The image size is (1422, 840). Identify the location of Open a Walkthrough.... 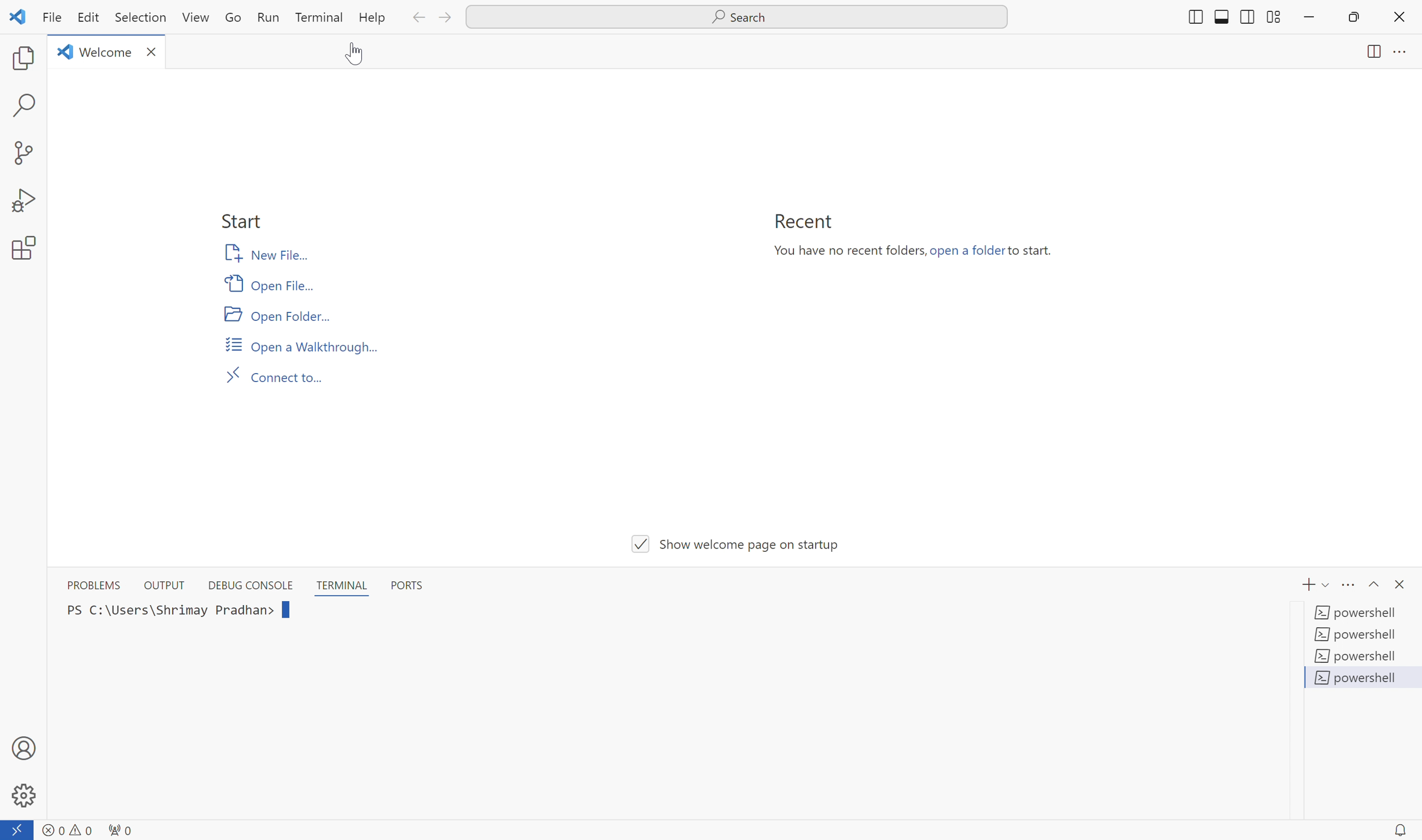
(299, 345).